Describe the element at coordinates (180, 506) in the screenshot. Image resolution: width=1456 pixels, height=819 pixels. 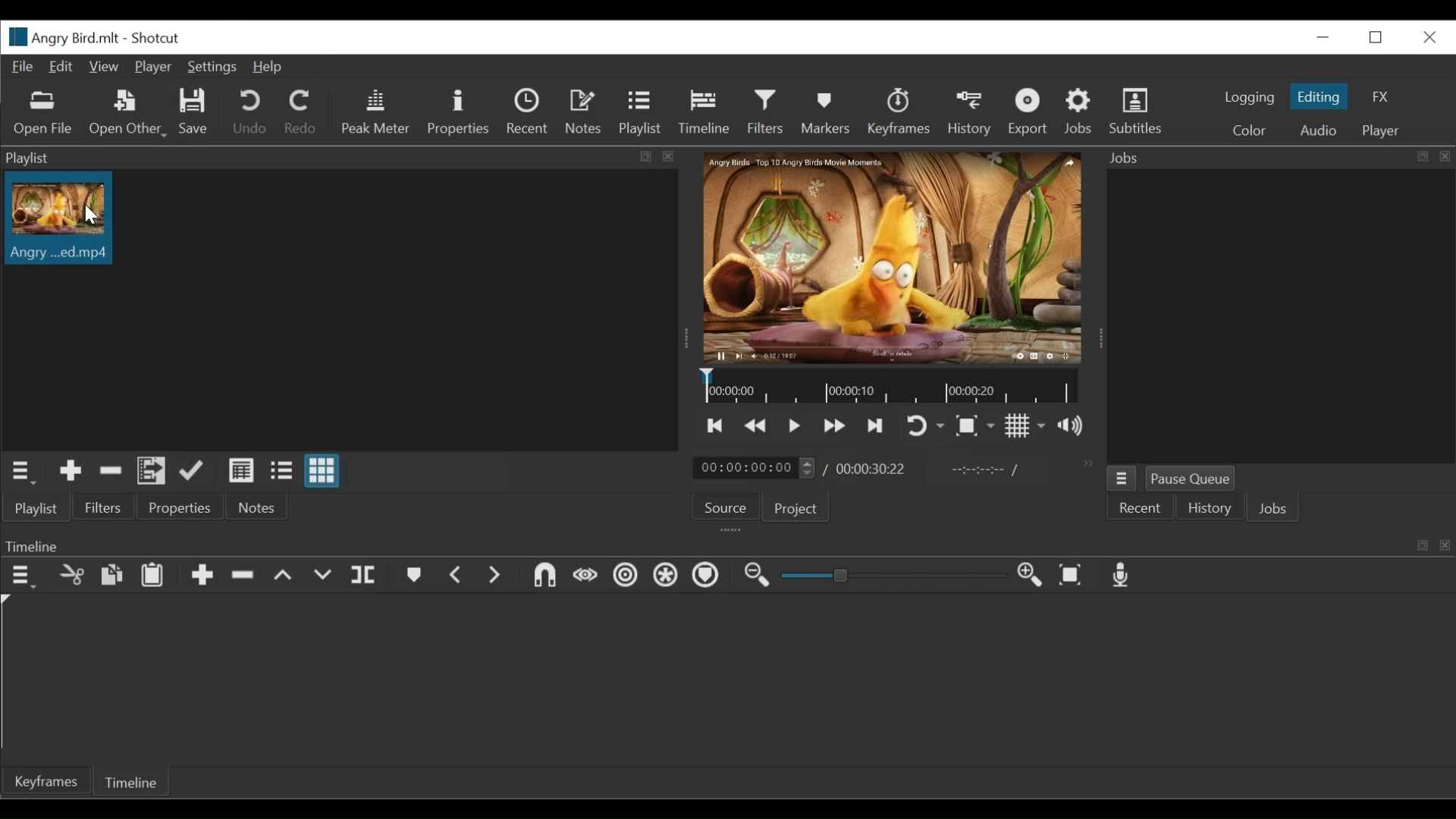
I see `Properties` at that location.